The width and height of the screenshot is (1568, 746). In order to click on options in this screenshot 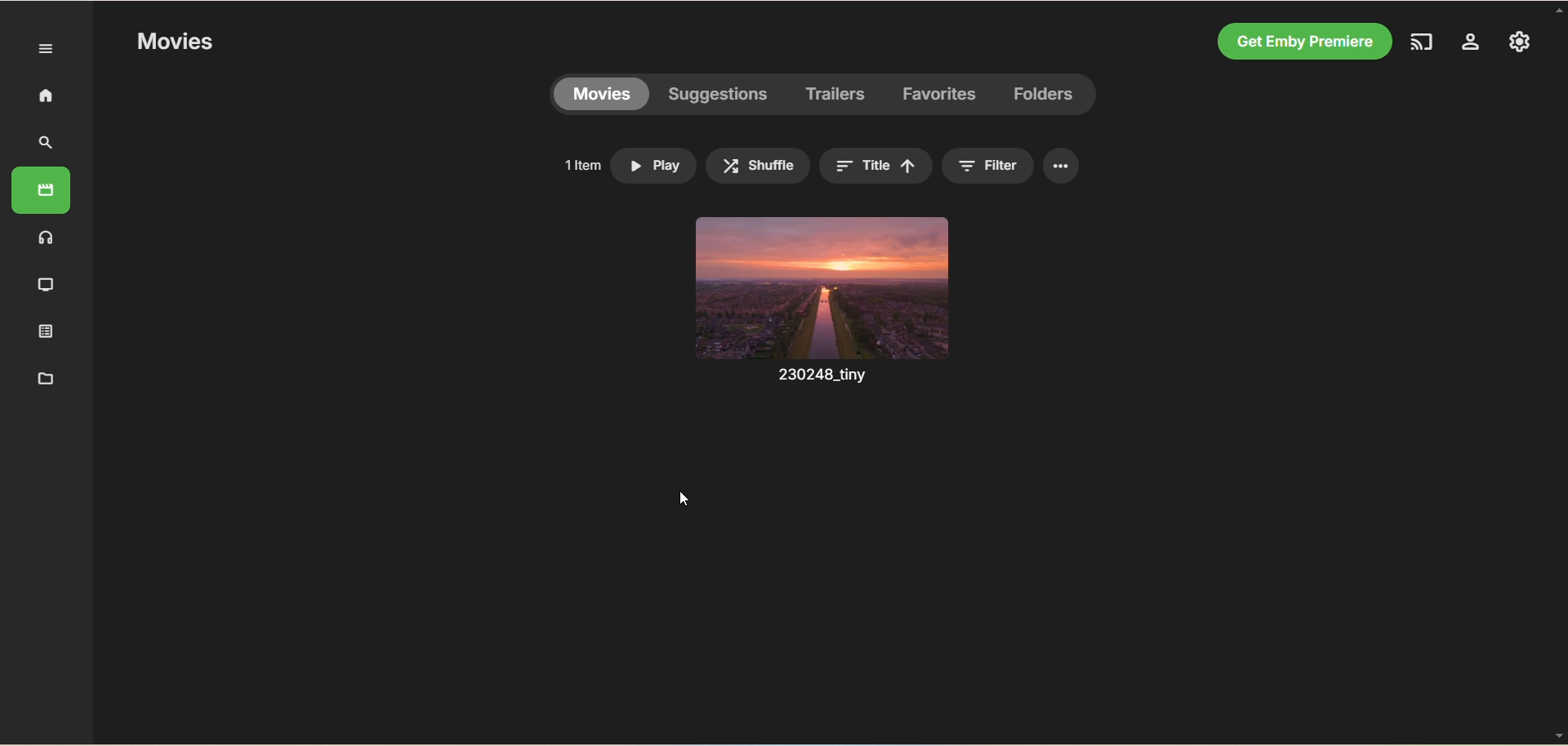, I will do `click(1062, 167)`.